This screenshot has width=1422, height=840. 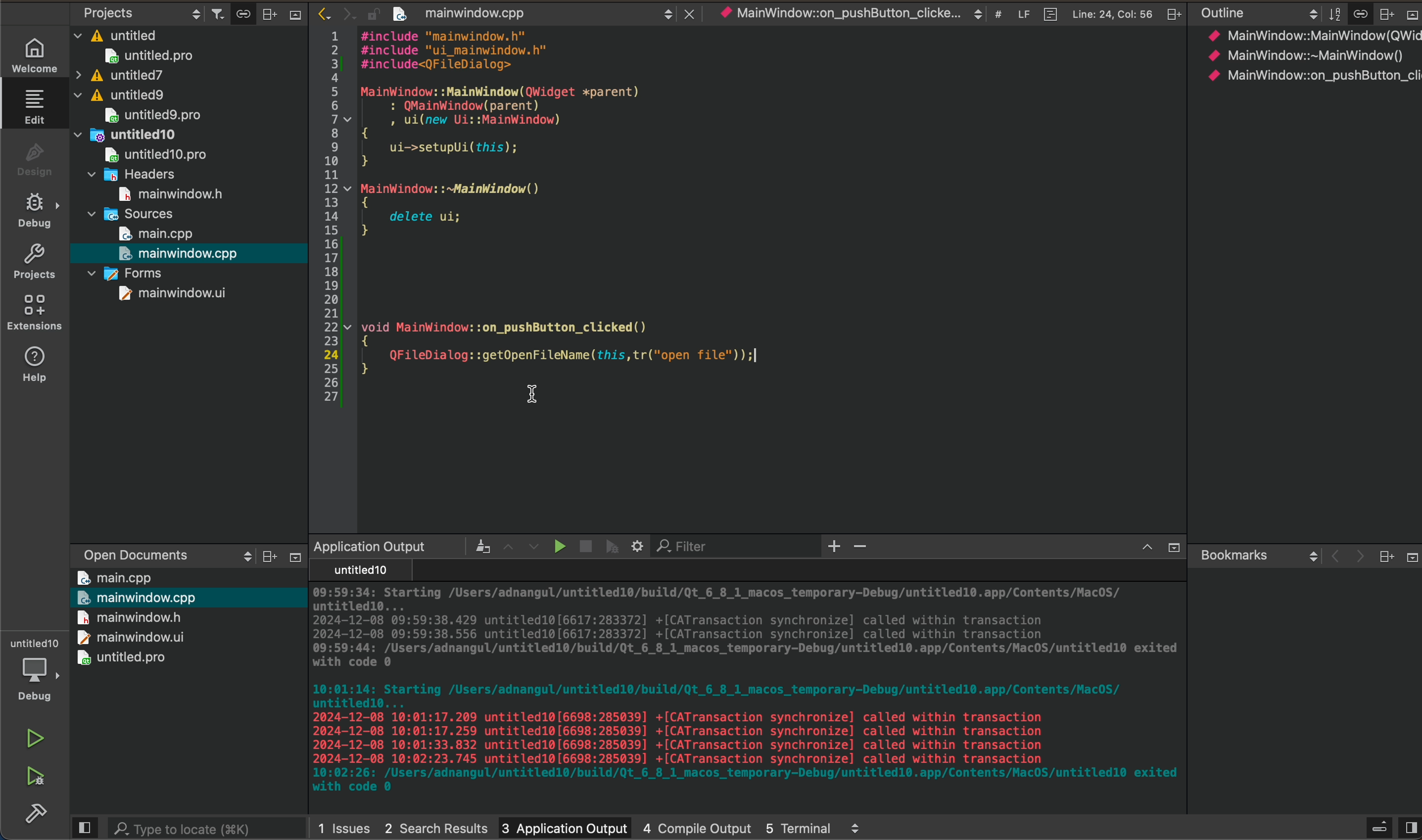 What do you see at coordinates (474, 546) in the screenshot?
I see `` at bounding box center [474, 546].